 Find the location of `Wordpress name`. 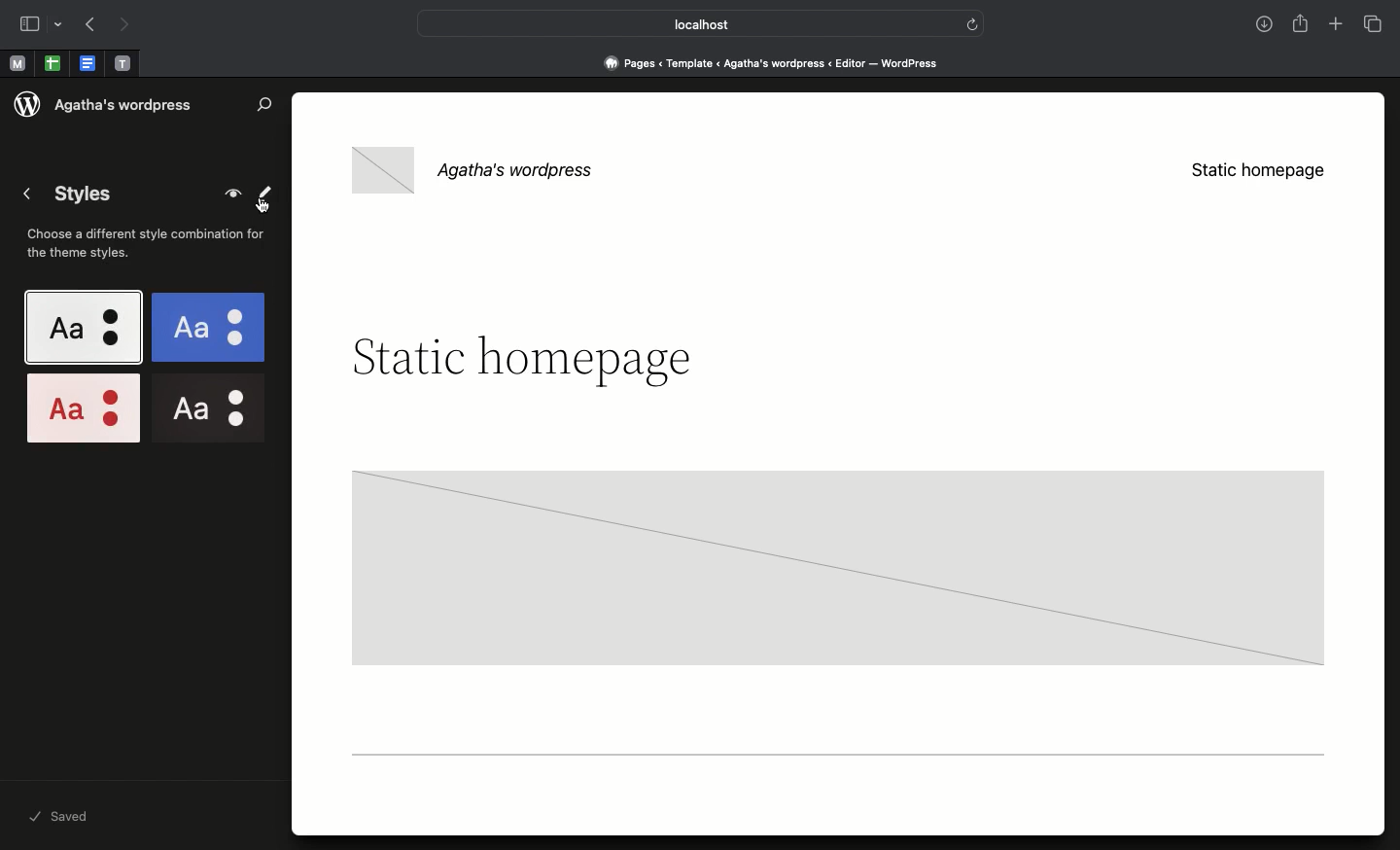

Wordpress name is located at coordinates (482, 167).